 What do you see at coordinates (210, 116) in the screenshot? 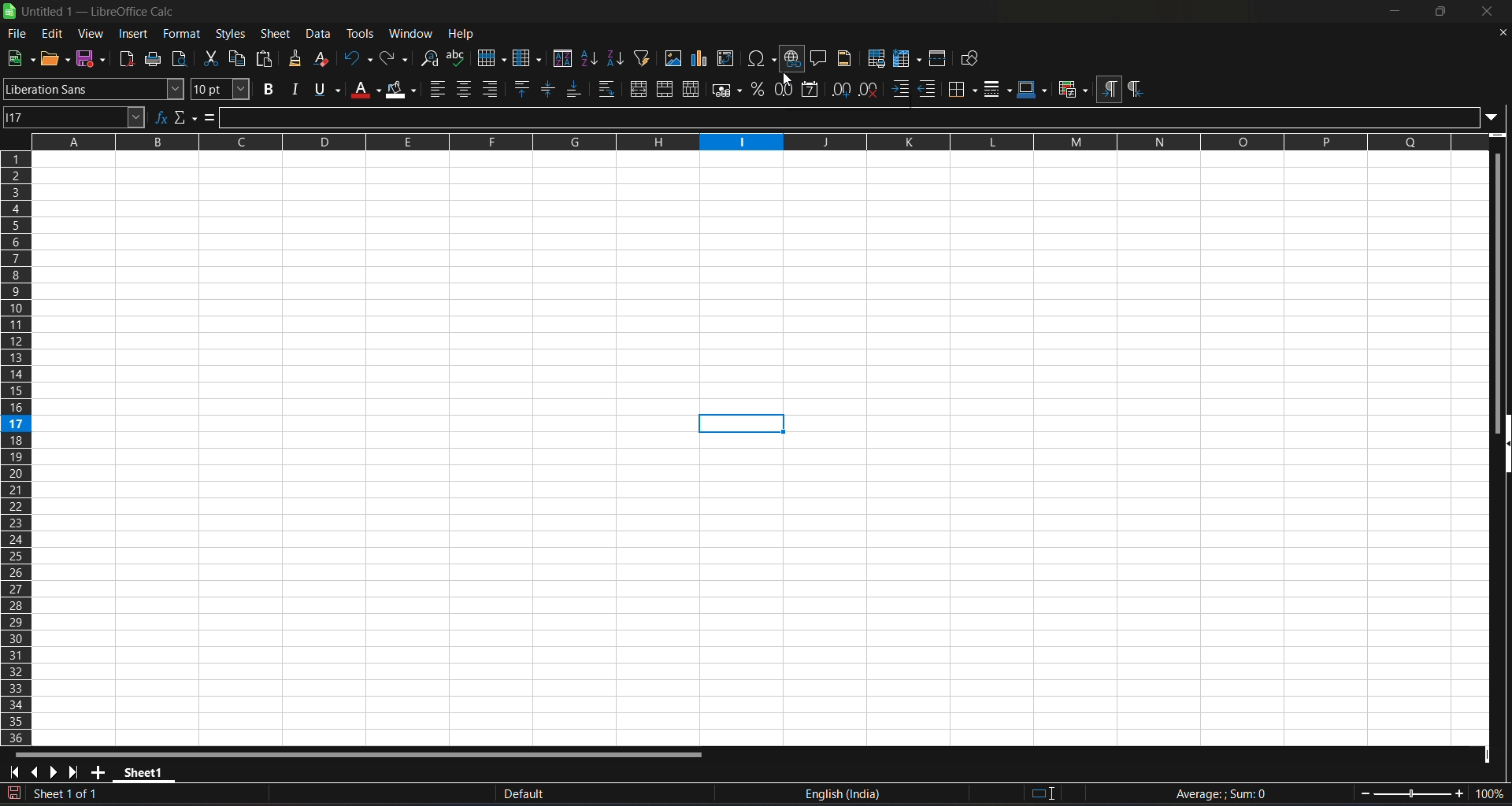
I see `formula` at bounding box center [210, 116].